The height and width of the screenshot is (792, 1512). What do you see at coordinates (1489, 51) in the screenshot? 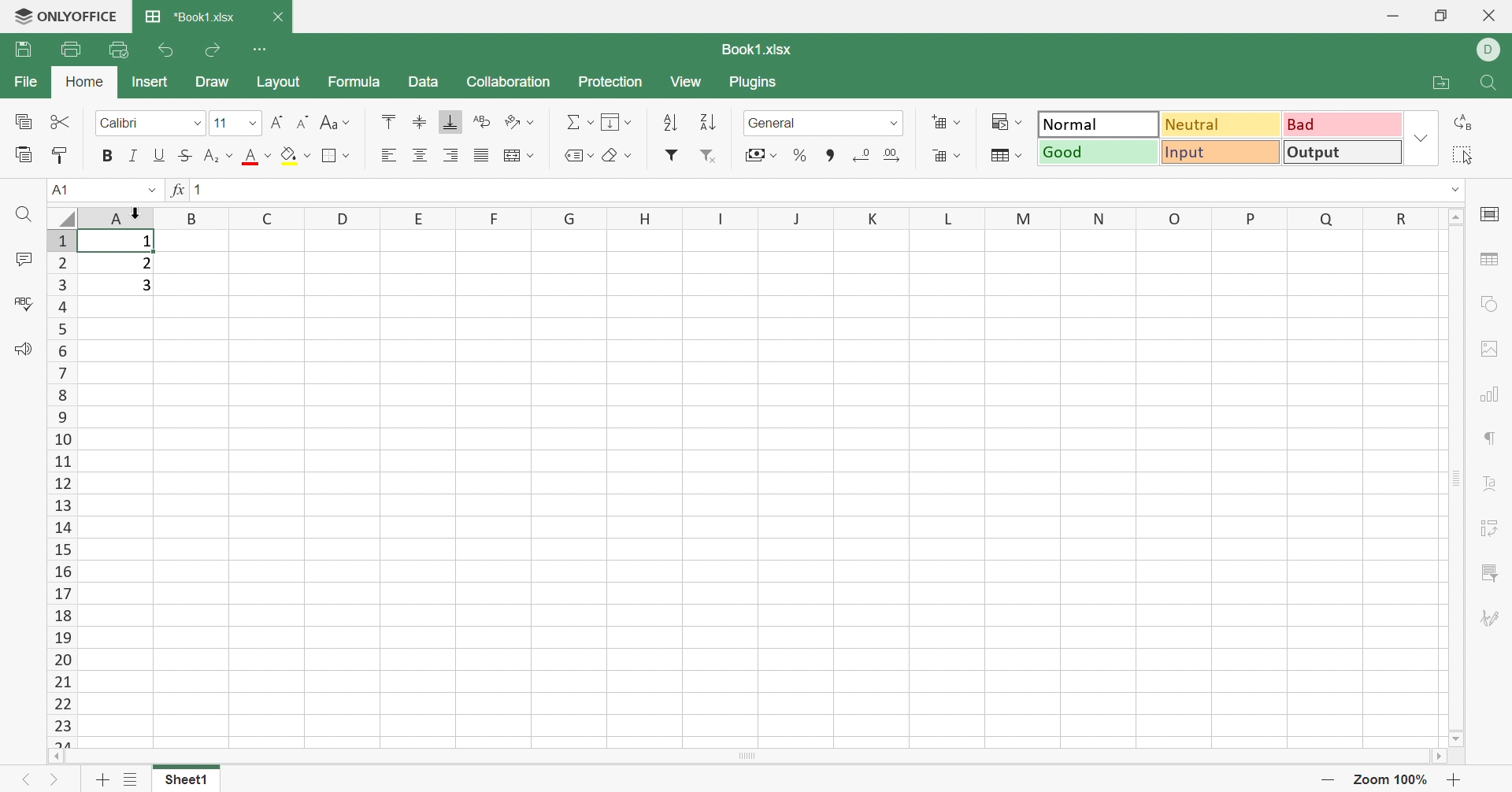
I see `DELL` at bounding box center [1489, 51].